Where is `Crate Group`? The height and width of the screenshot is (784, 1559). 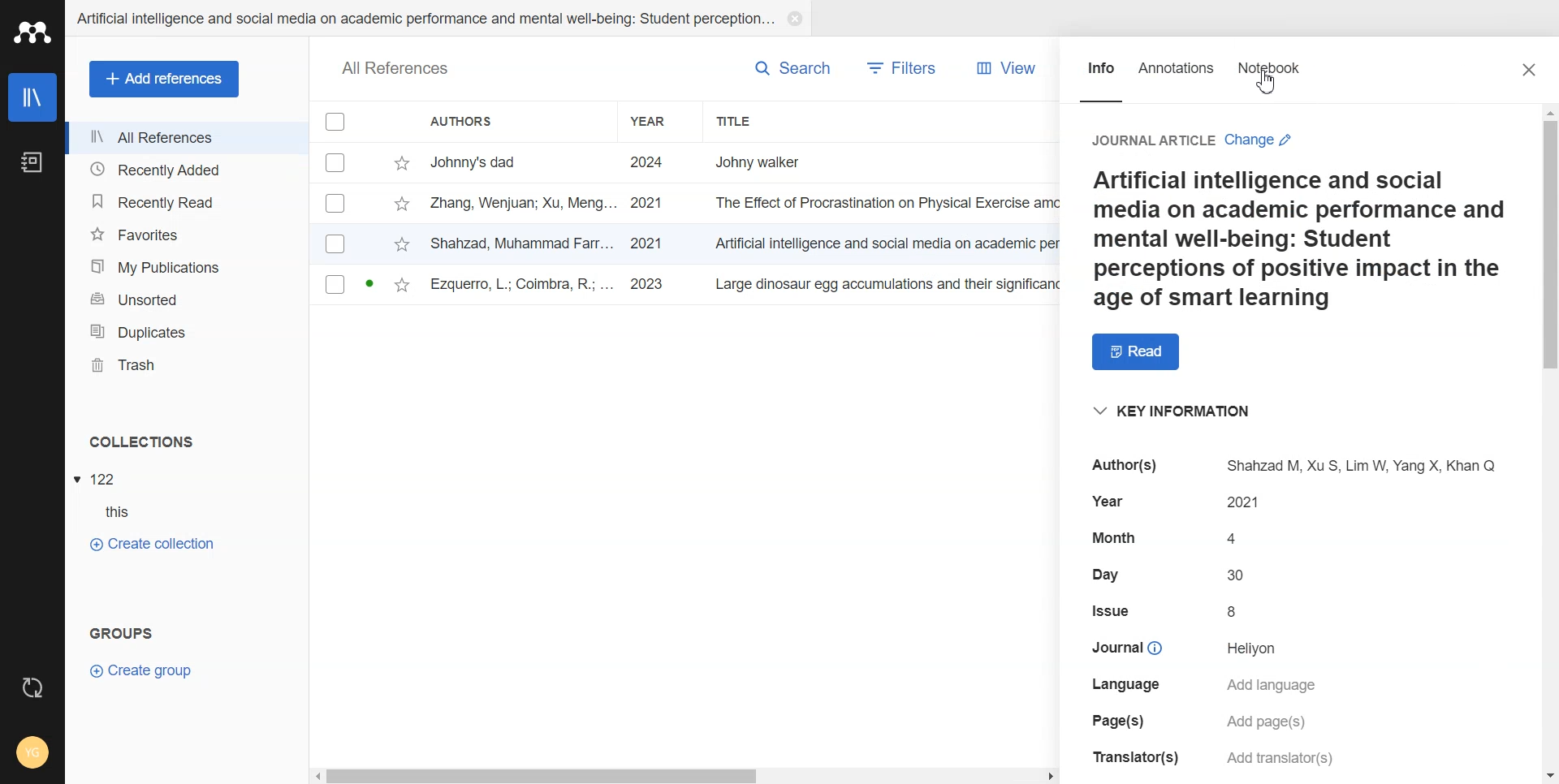 Crate Group is located at coordinates (141, 670).